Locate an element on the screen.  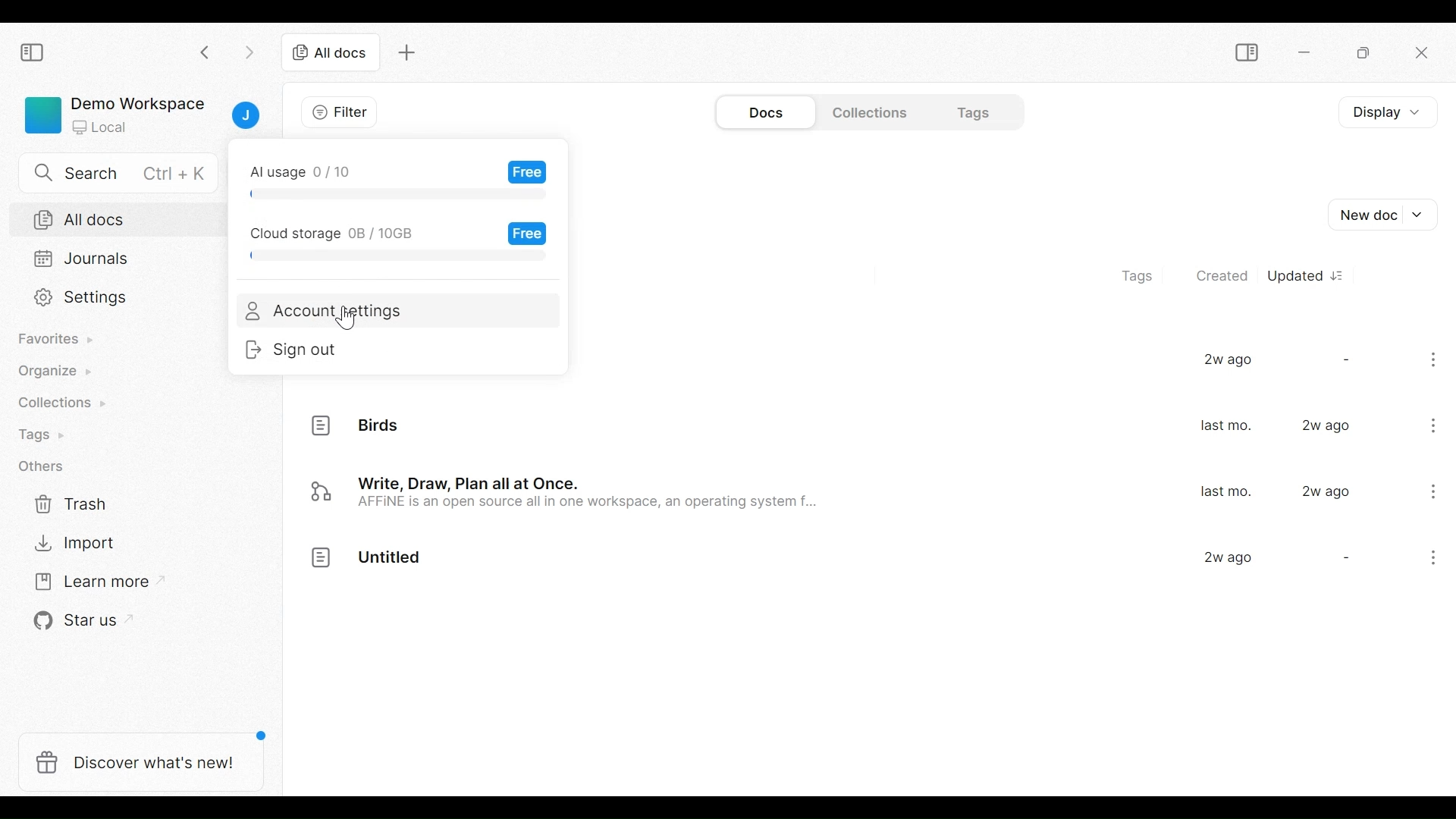
Star us is located at coordinates (67, 622).